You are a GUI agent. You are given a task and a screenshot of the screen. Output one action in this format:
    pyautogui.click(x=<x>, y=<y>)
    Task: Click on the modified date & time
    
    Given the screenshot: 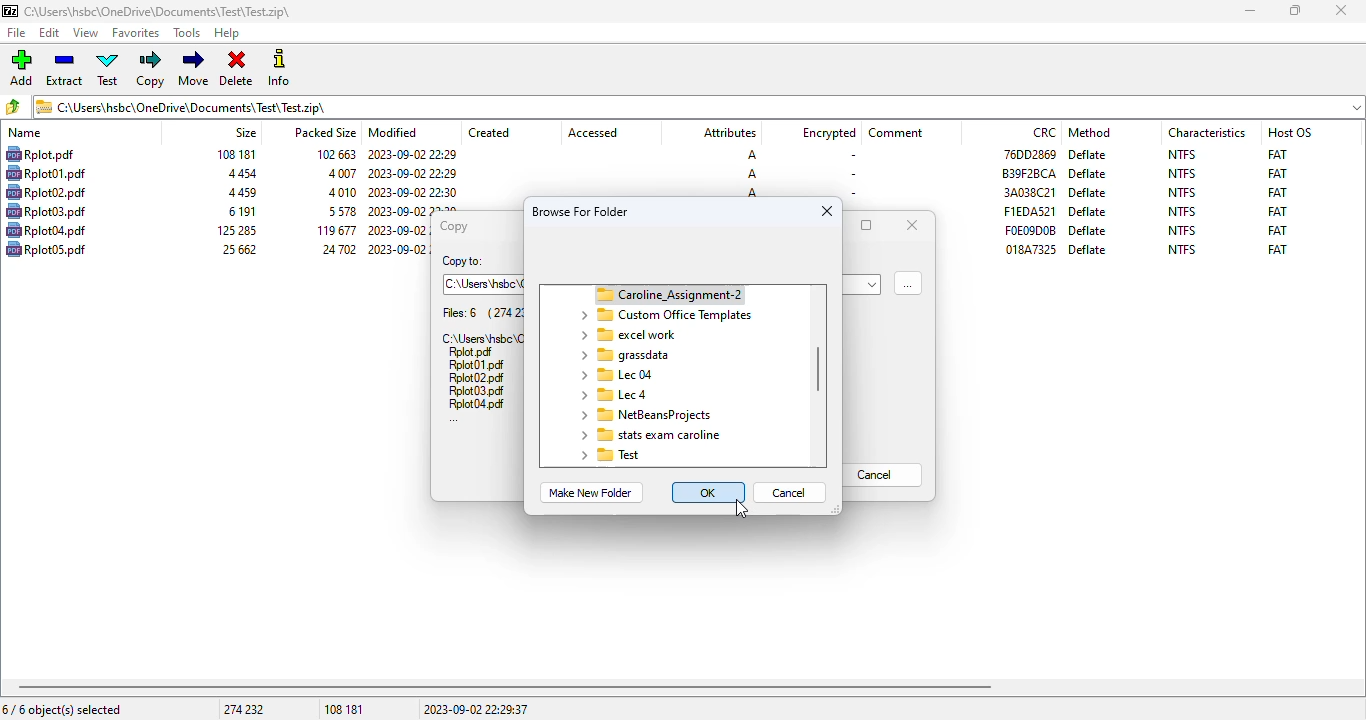 What is the action you would take?
    pyautogui.click(x=413, y=173)
    